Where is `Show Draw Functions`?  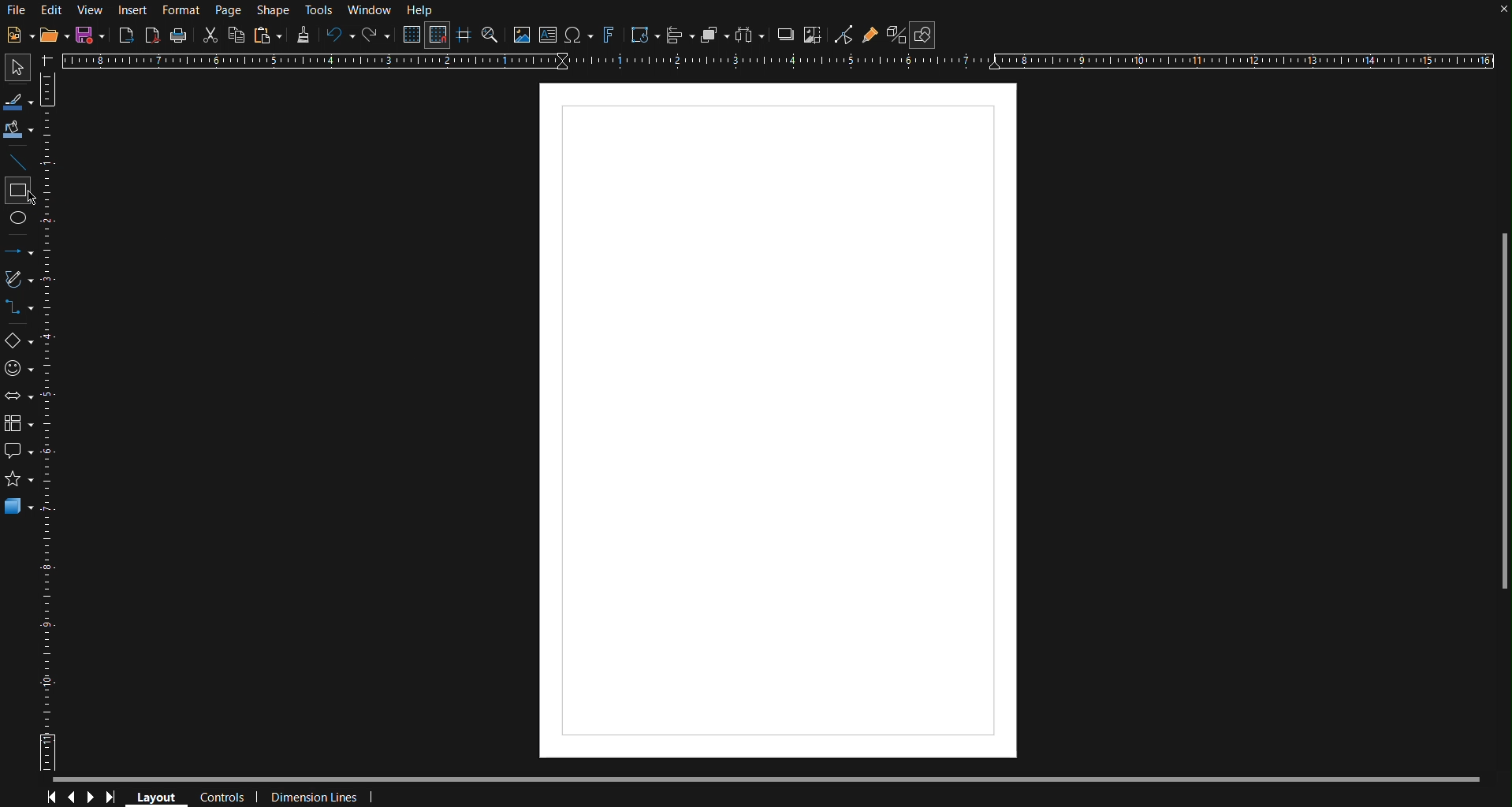 Show Draw Functions is located at coordinates (923, 35).